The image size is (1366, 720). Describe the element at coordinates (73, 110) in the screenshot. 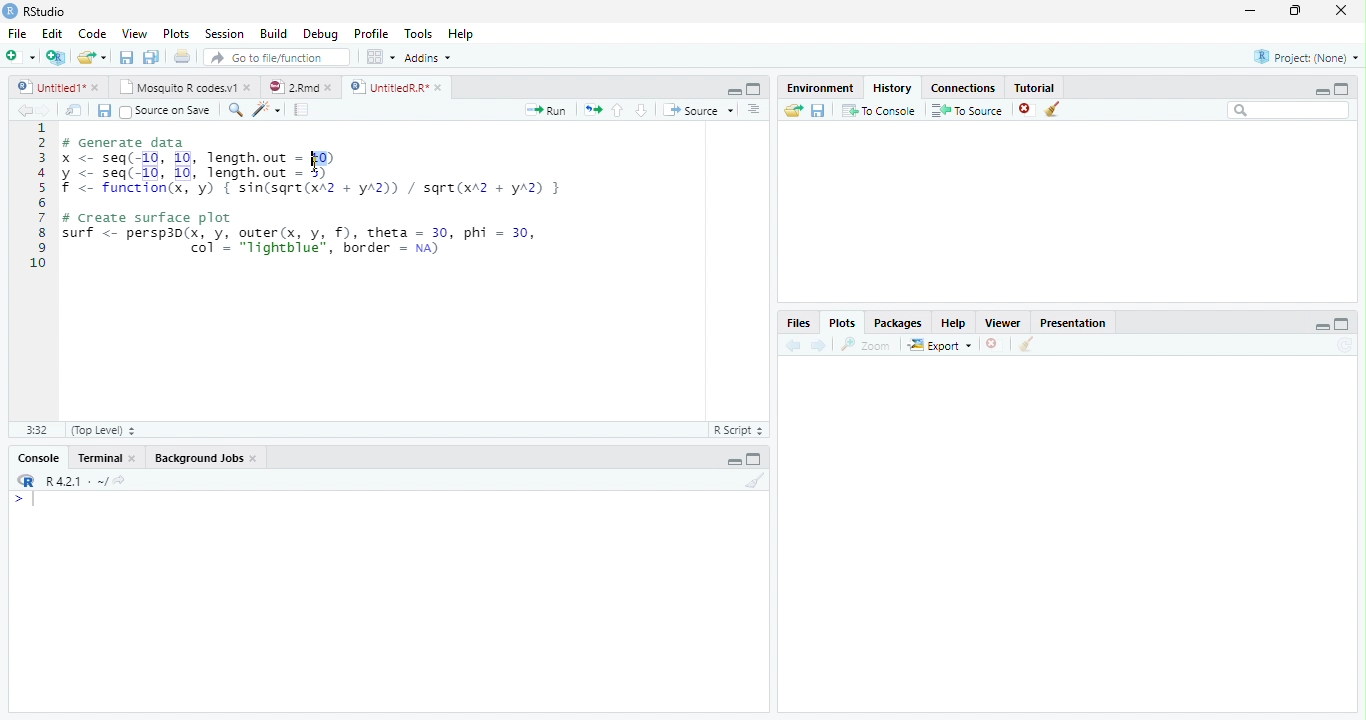

I see `Show in new window` at that location.